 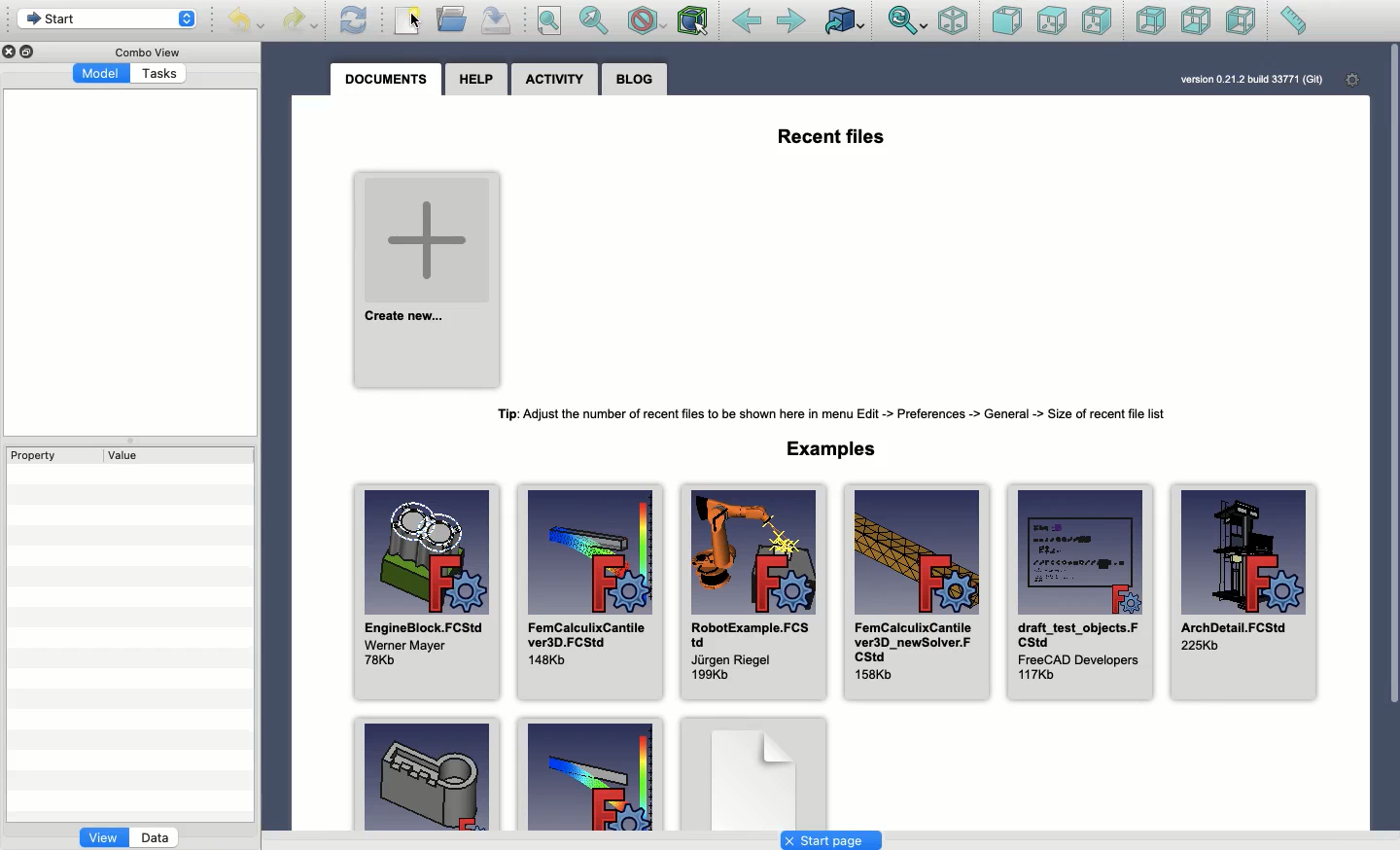 I want to click on Front, so click(x=1006, y=20).